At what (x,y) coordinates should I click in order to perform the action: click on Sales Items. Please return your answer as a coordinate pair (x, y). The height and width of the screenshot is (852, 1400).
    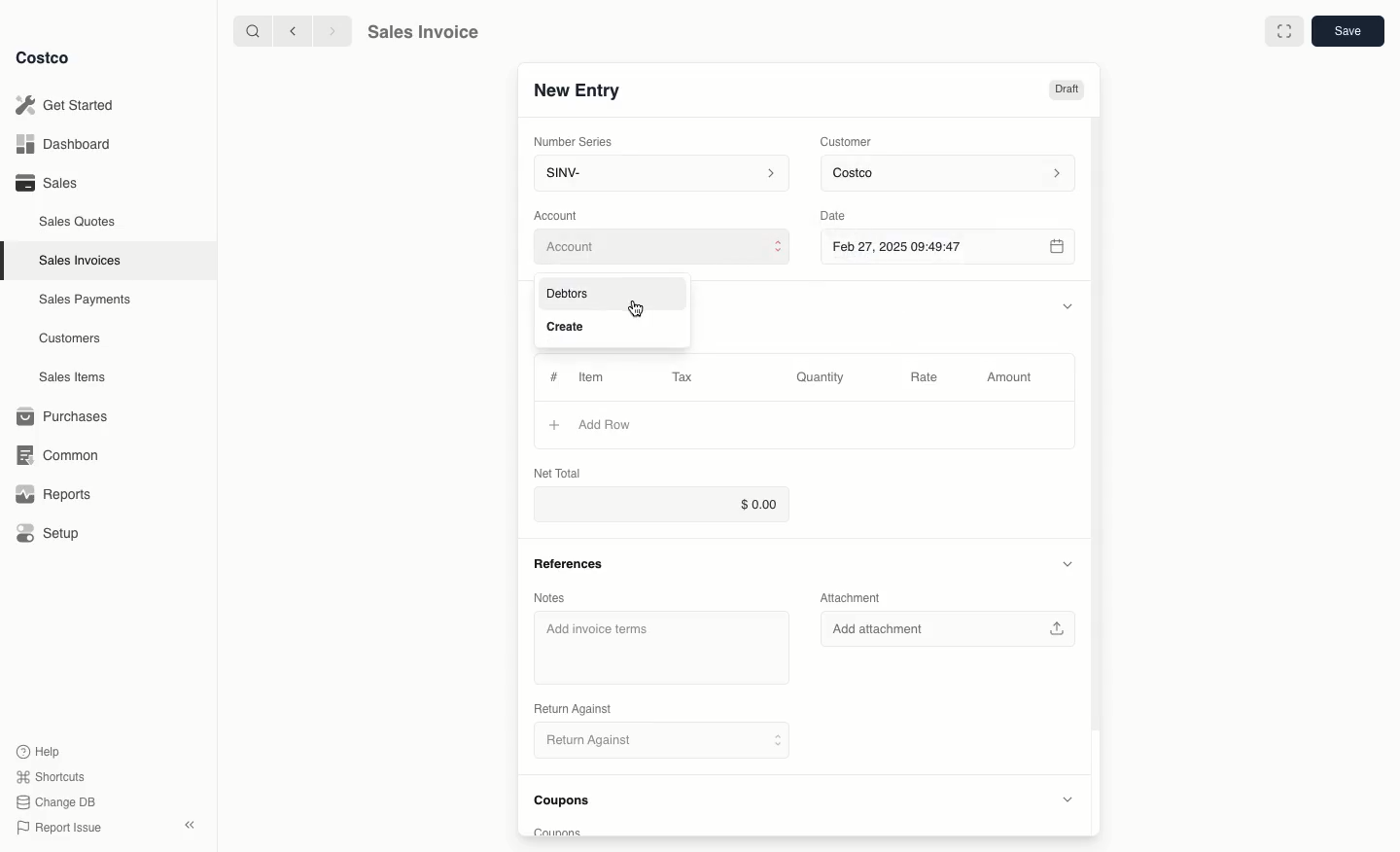
    Looking at the image, I should click on (75, 375).